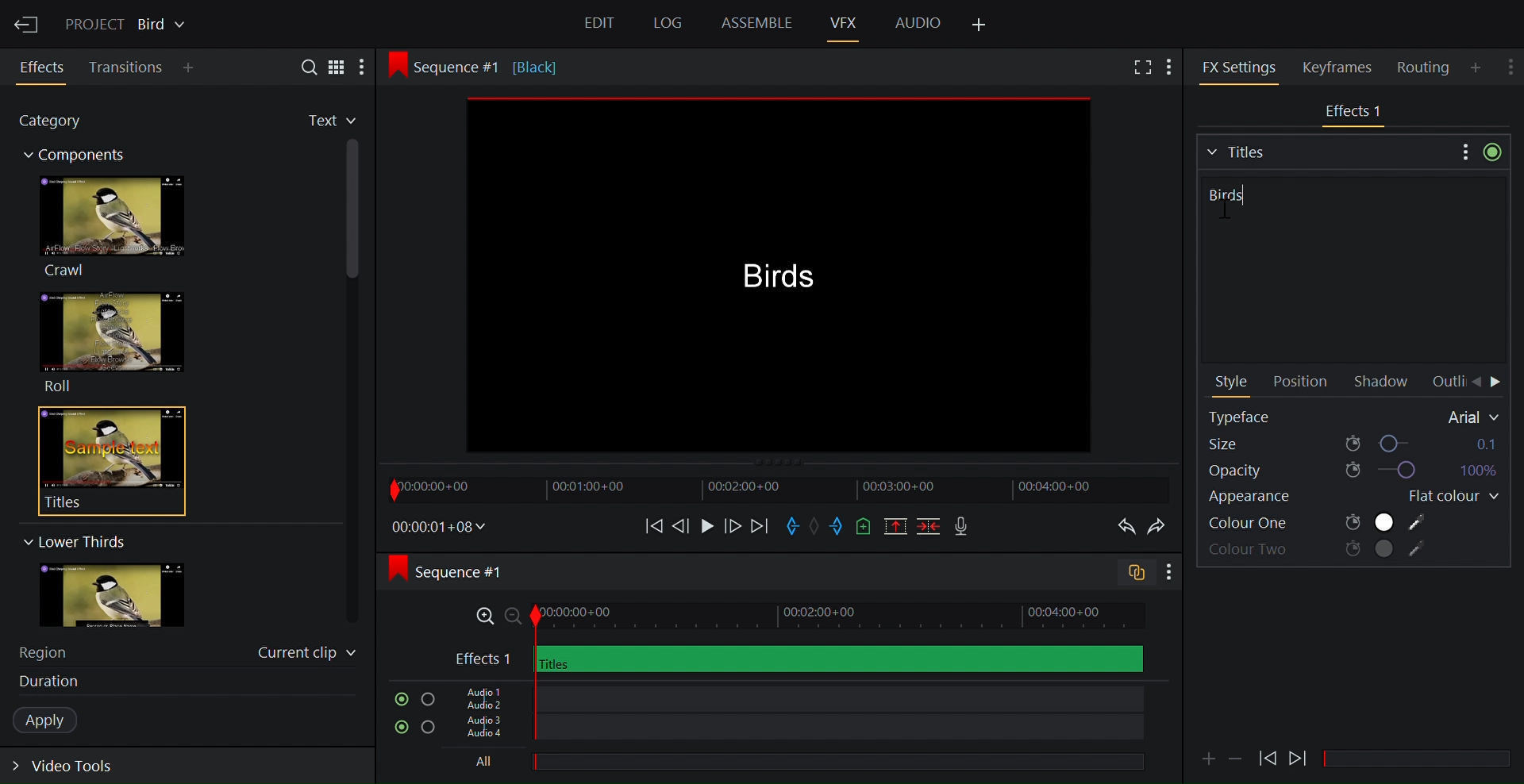 The height and width of the screenshot is (784, 1524). What do you see at coordinates (1173, 65) in the screenshot?
I see `Add Panel` at bounding box center [1173, 65].